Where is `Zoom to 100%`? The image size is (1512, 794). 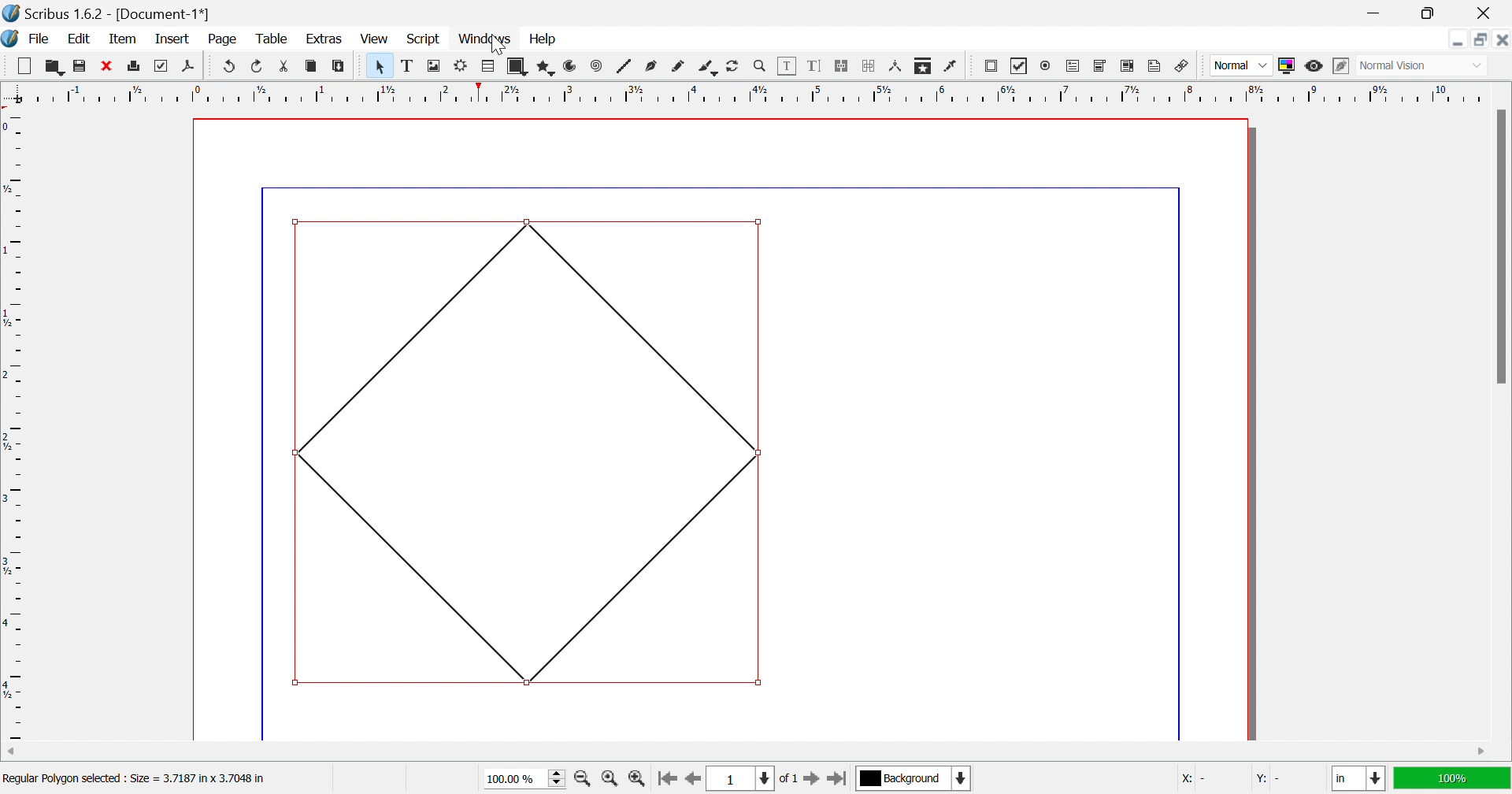 Zoom to 100% is located at coordinates (612, 781).